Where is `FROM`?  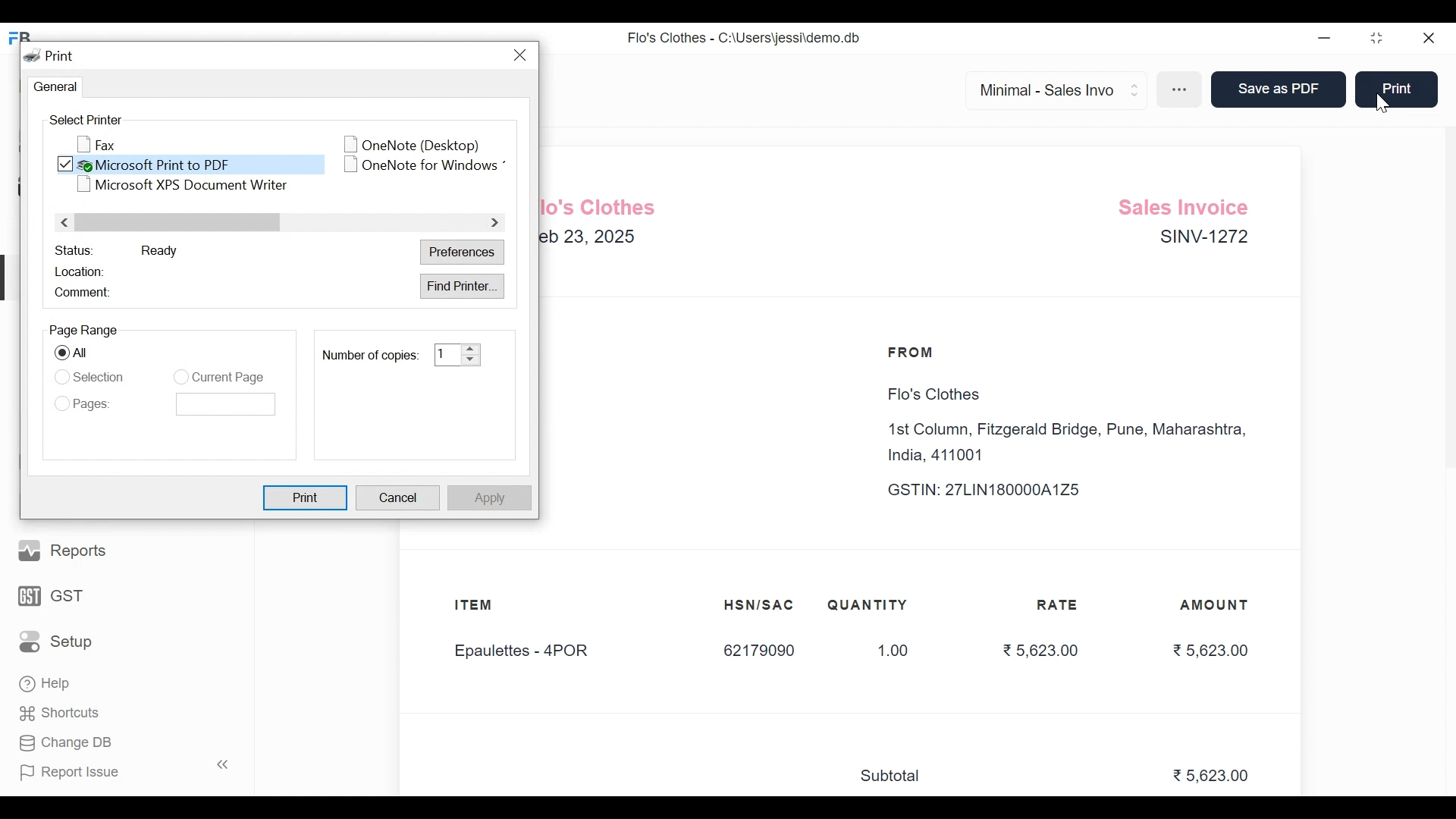
FROM is located at coordinates (915, 353).